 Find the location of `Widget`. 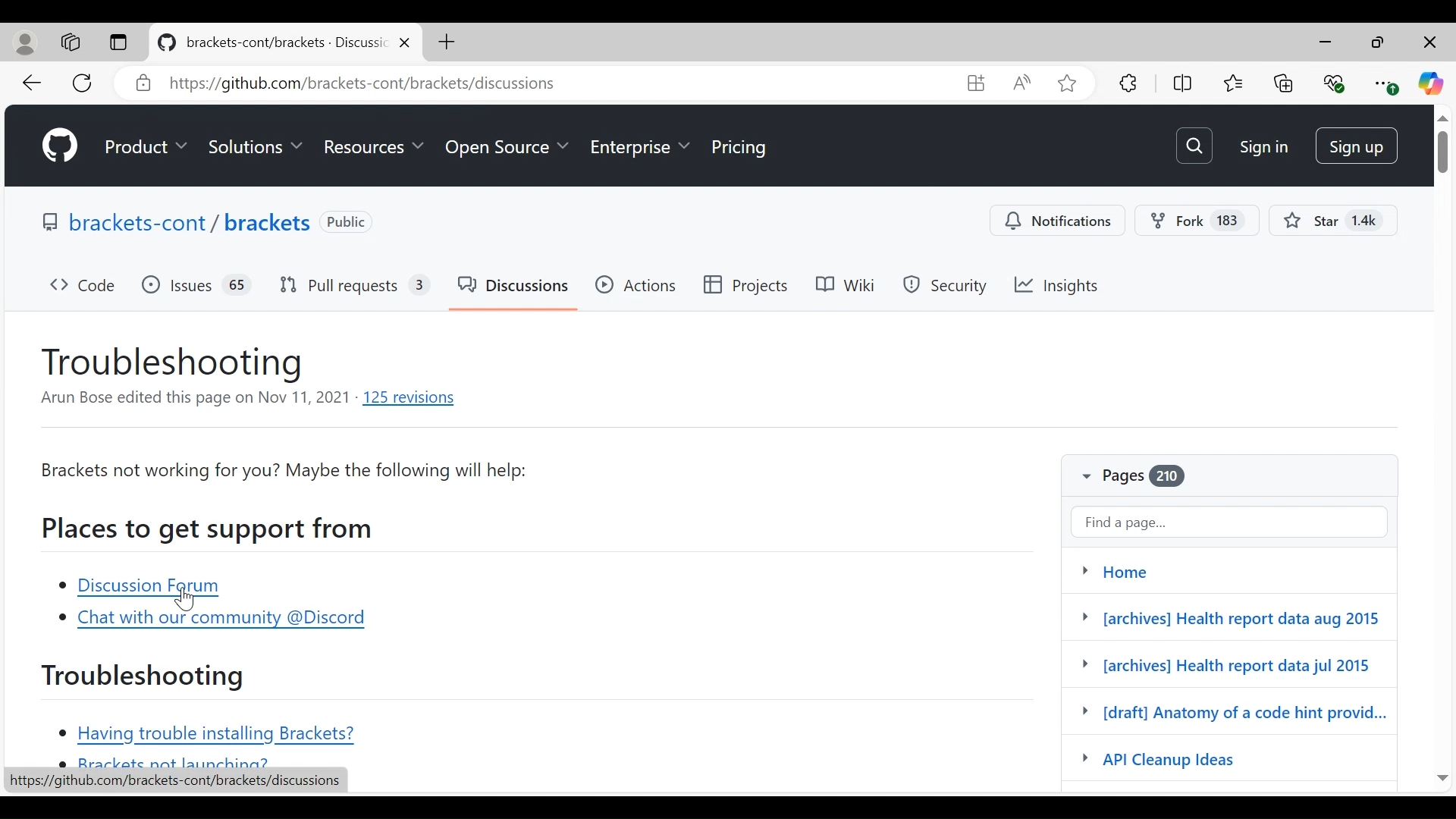

Widget is located at coordinates (975, 83).